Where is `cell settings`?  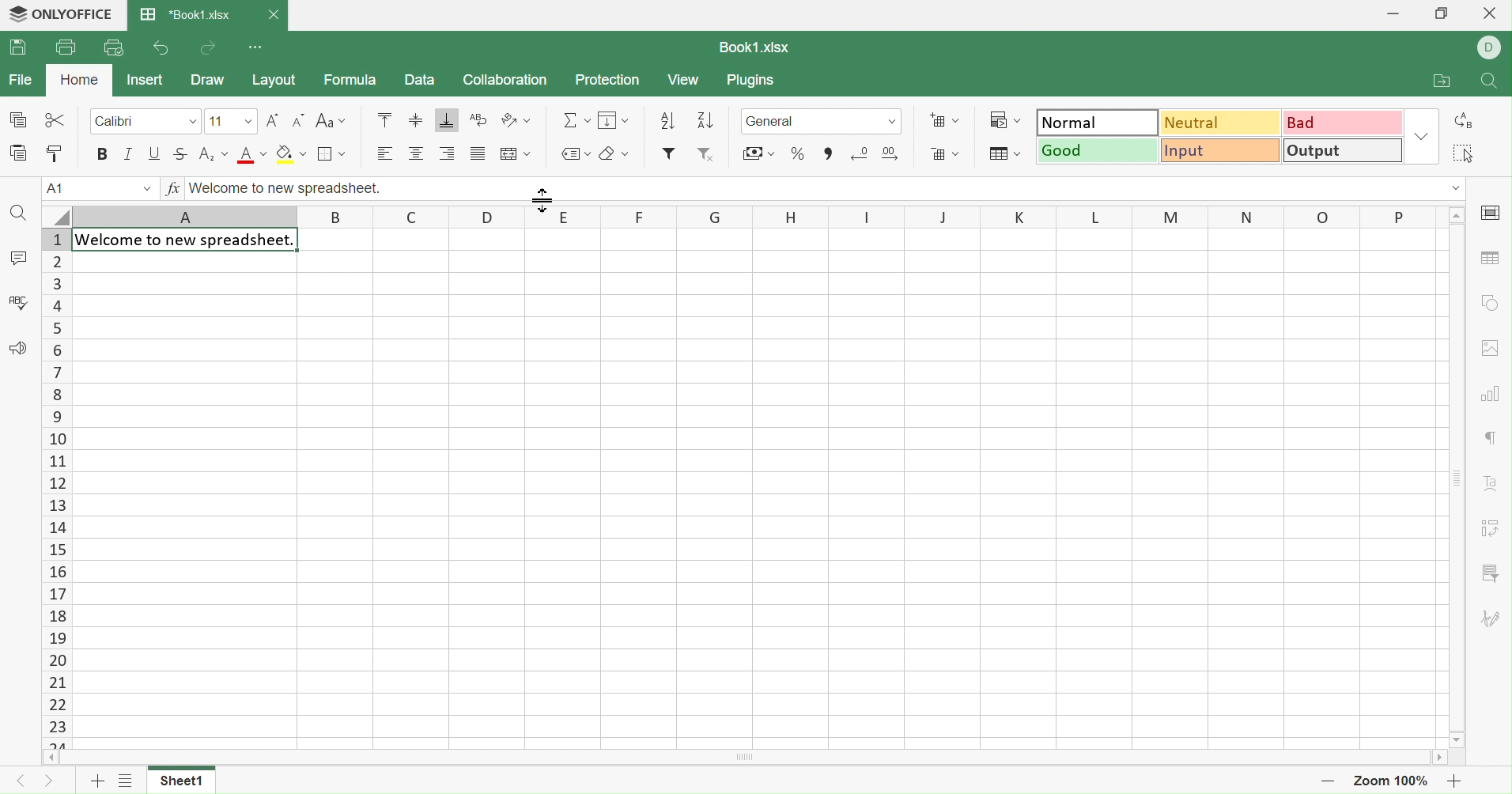
cell settings is located at coordinates (1495, 214).